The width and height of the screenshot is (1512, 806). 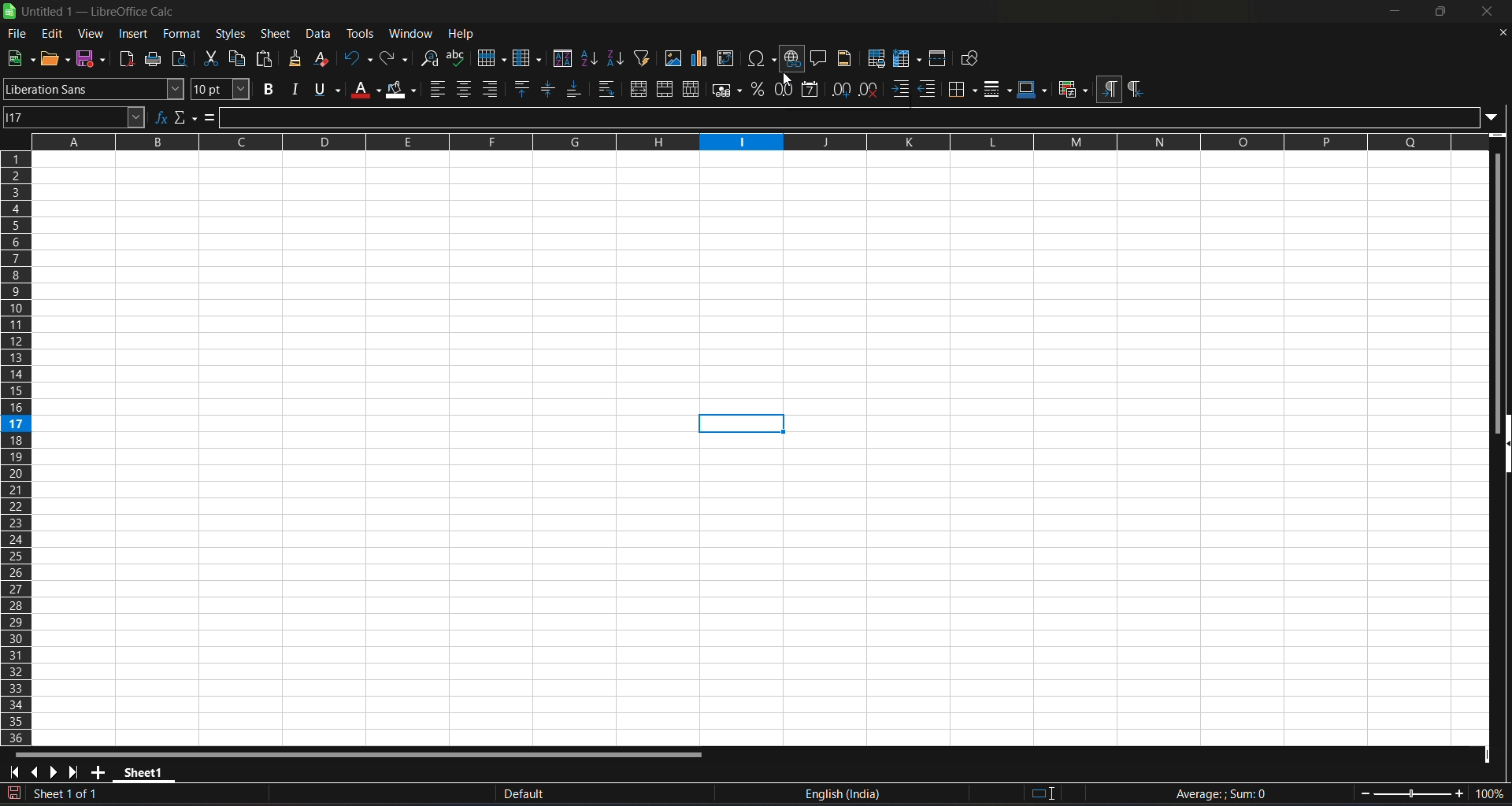 I want to click on background color, so click(x=402, y=88).